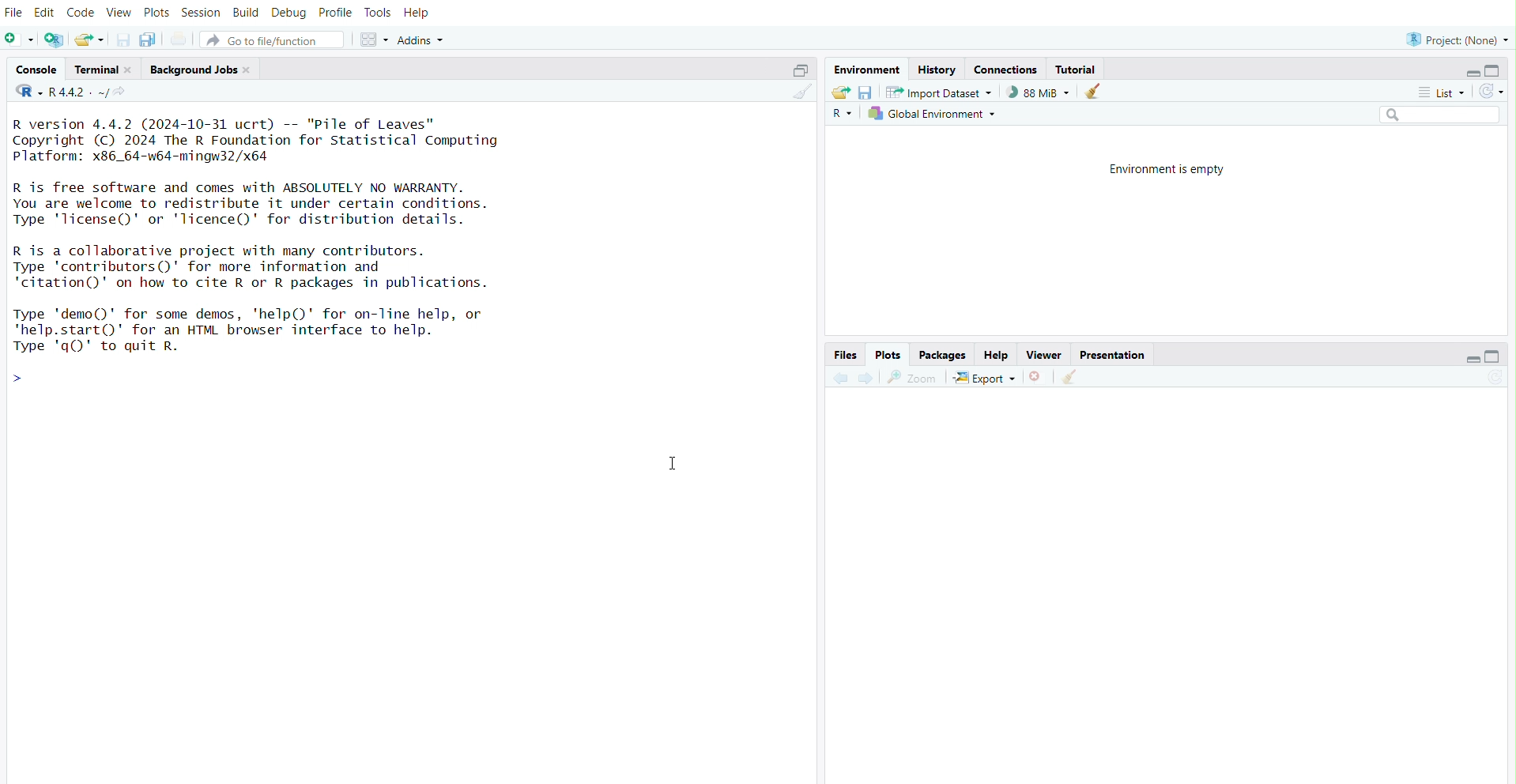 The height and width of the screenshot is (784, 1516). I want to click on terminal, so click(92, 68).